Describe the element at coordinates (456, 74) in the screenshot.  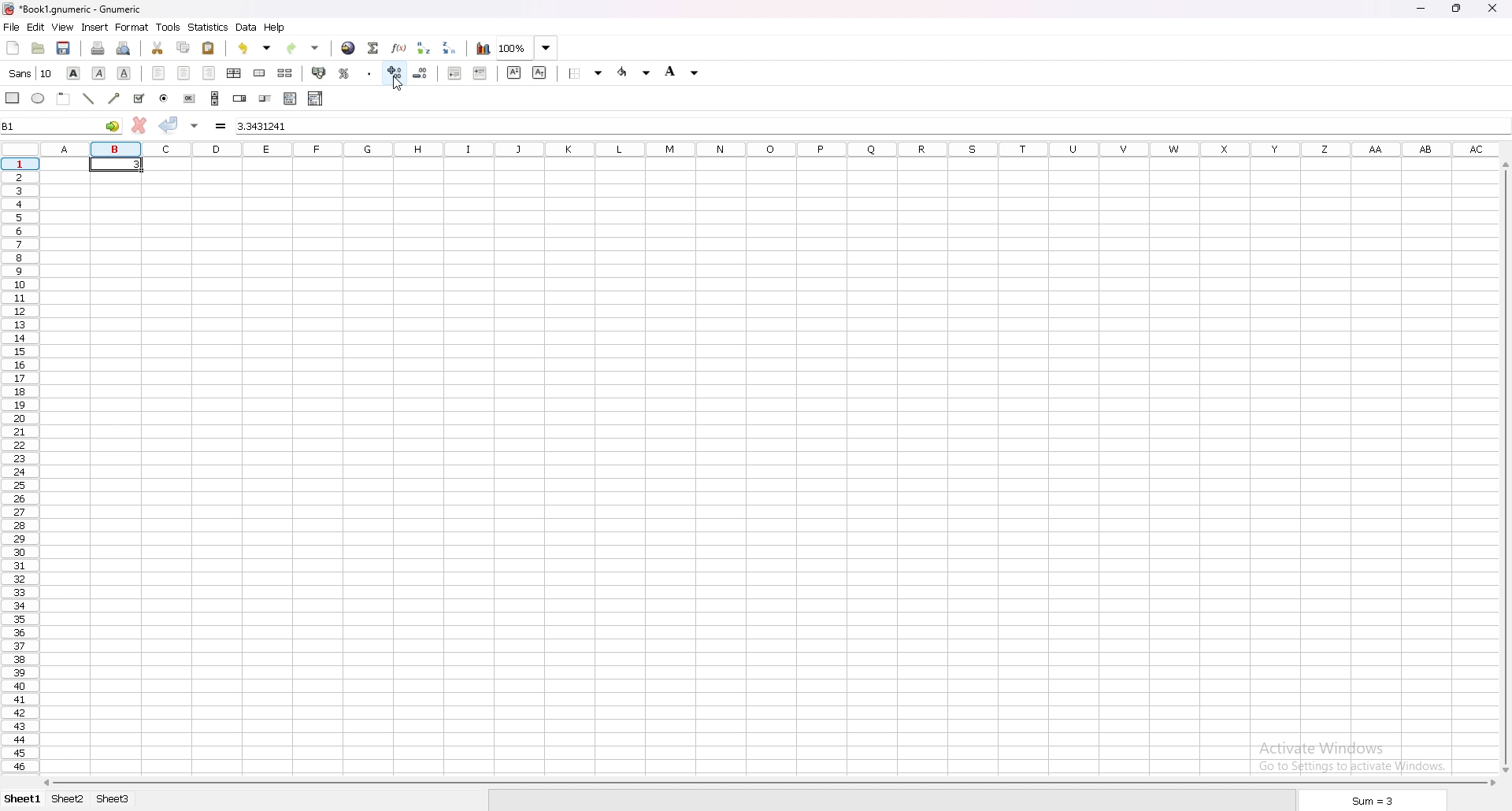
I see `decrease indent` at that location.